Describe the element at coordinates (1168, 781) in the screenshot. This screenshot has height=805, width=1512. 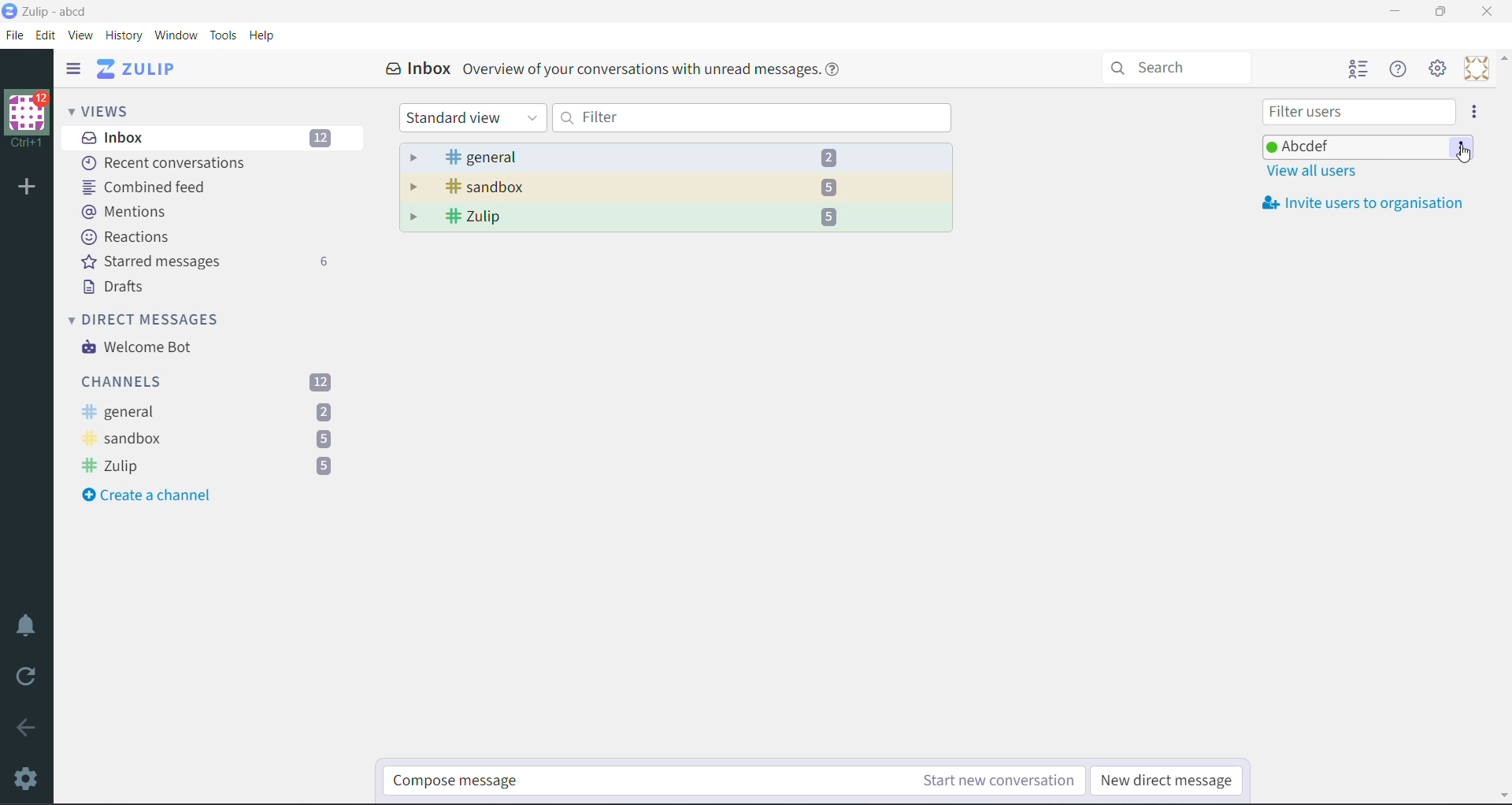
I see `New direct message` at that location.